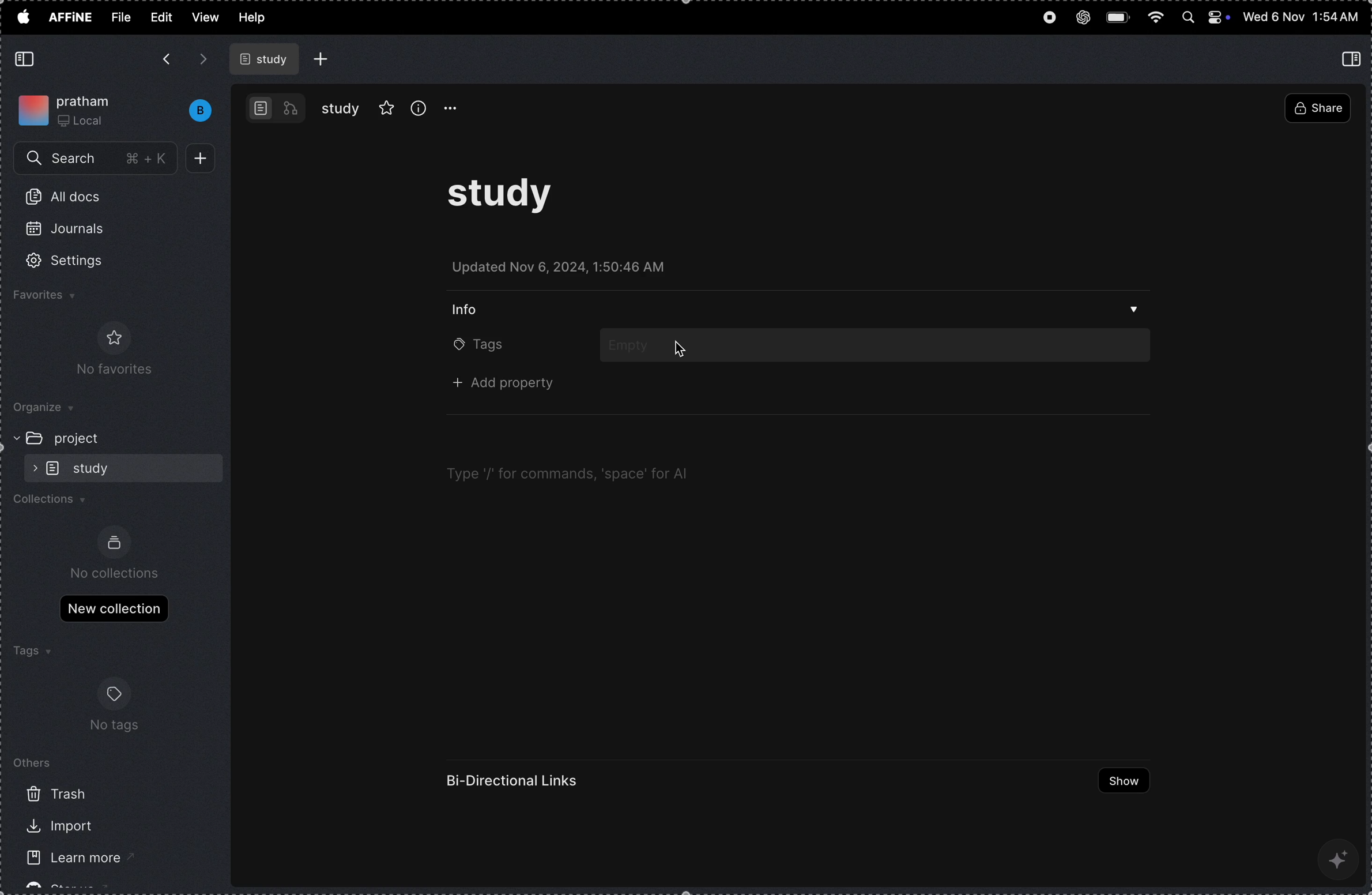 Image resolution: width=1372 pixels, height=895 pixels. What do you see at coordinates (1120, 16) in the screenshot?
I see `battery` at bounding box center [1120, 16].